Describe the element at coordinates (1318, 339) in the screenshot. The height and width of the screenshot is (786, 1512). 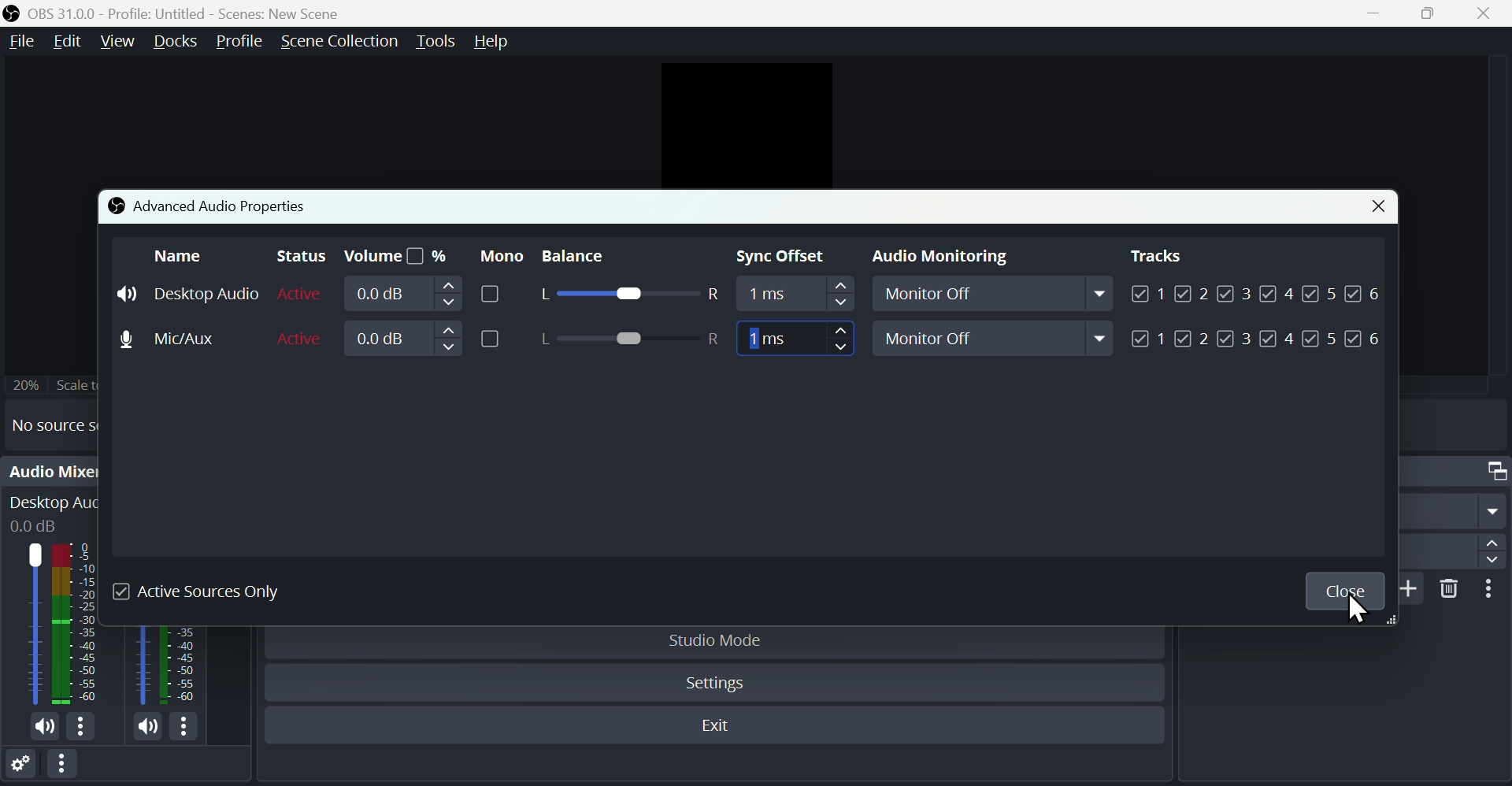
I see `(un)check Track 5` at that location.